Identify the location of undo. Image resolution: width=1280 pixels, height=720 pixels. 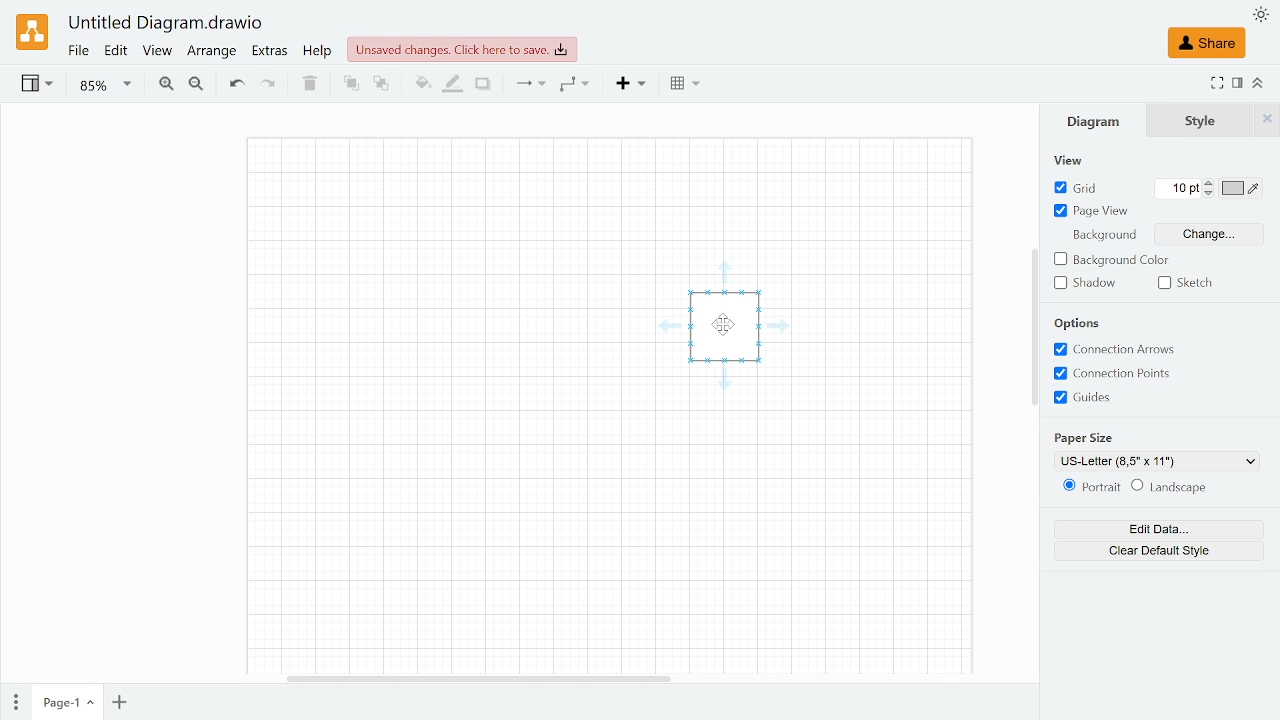
(234, 84).